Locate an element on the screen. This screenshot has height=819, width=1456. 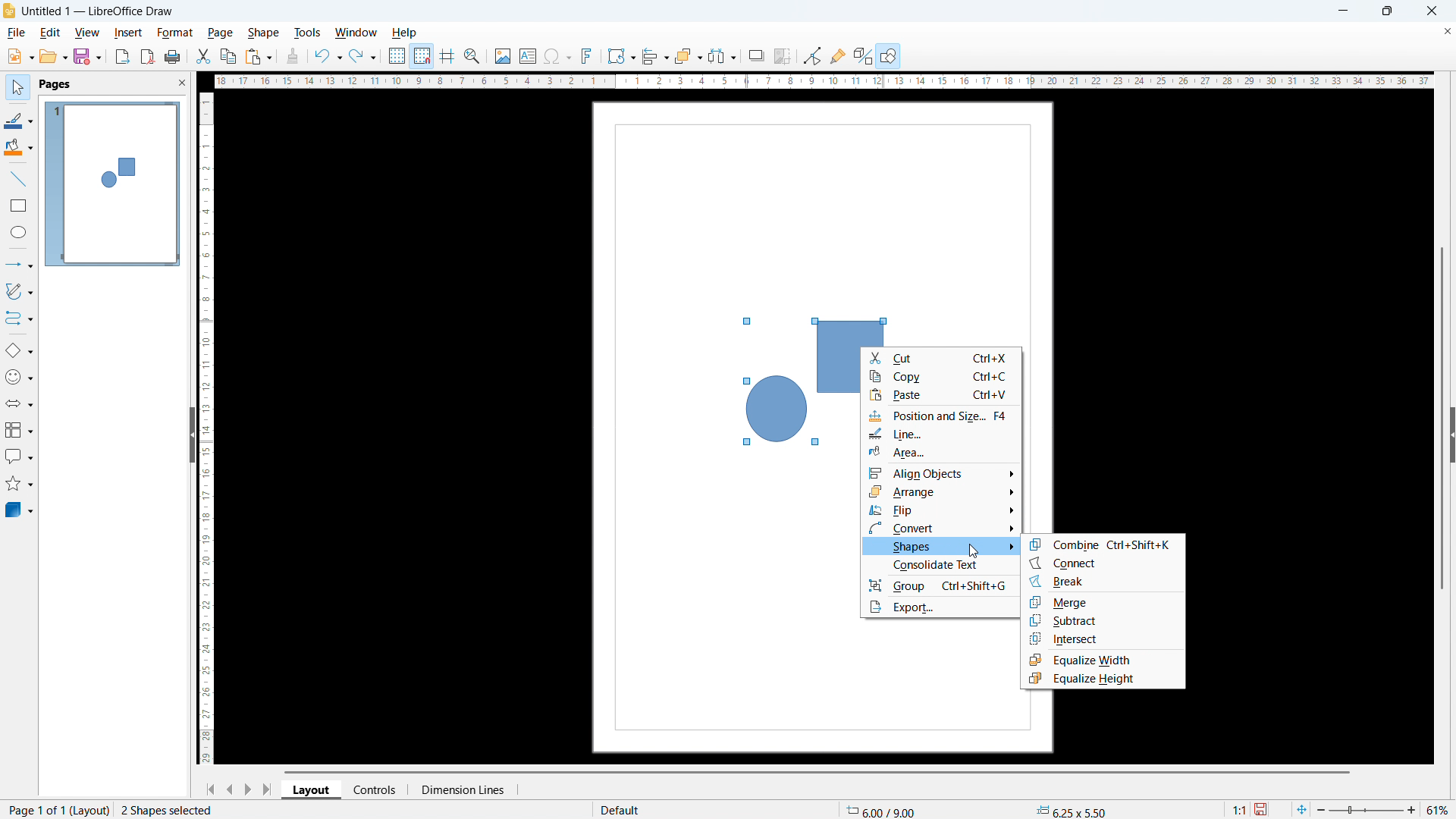
object dimension is located at coordinates (1068, 809).